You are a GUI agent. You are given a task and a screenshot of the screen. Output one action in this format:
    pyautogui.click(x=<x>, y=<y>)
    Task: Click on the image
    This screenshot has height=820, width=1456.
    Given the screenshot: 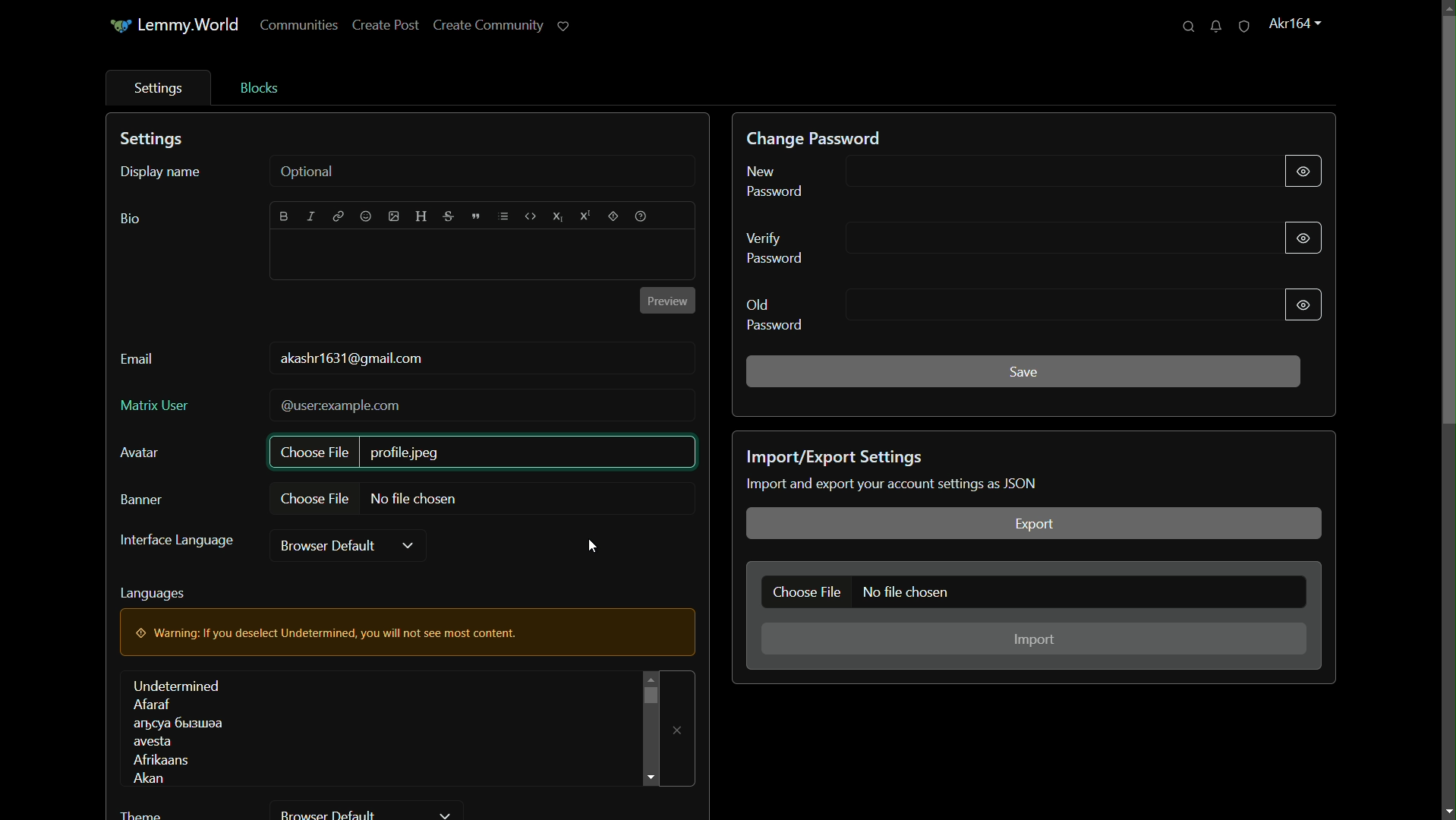 What is the action you would take?
    pyautogui.click(x=392, y=218)
    